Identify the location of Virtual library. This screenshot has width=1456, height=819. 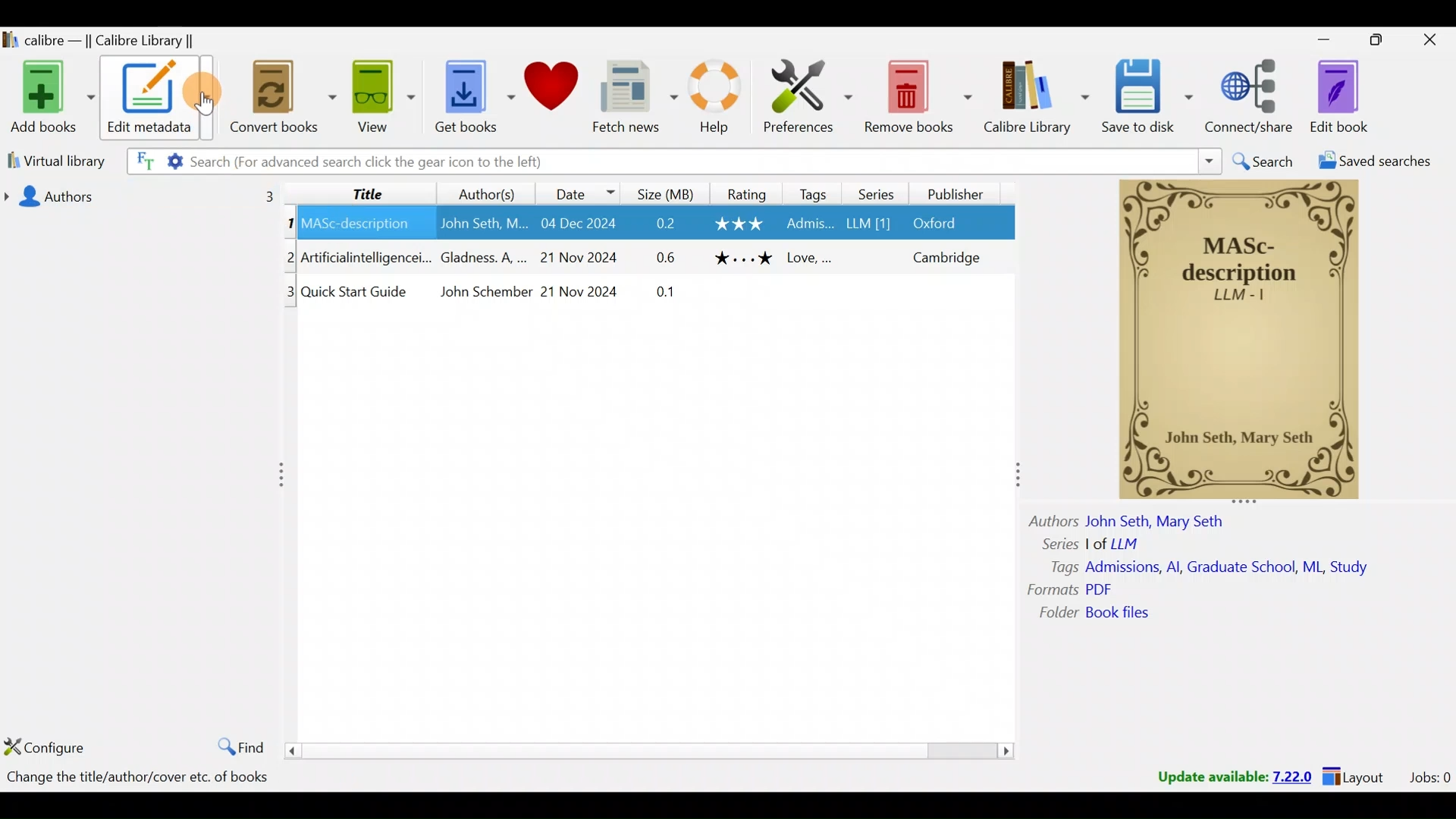
(56, 162).